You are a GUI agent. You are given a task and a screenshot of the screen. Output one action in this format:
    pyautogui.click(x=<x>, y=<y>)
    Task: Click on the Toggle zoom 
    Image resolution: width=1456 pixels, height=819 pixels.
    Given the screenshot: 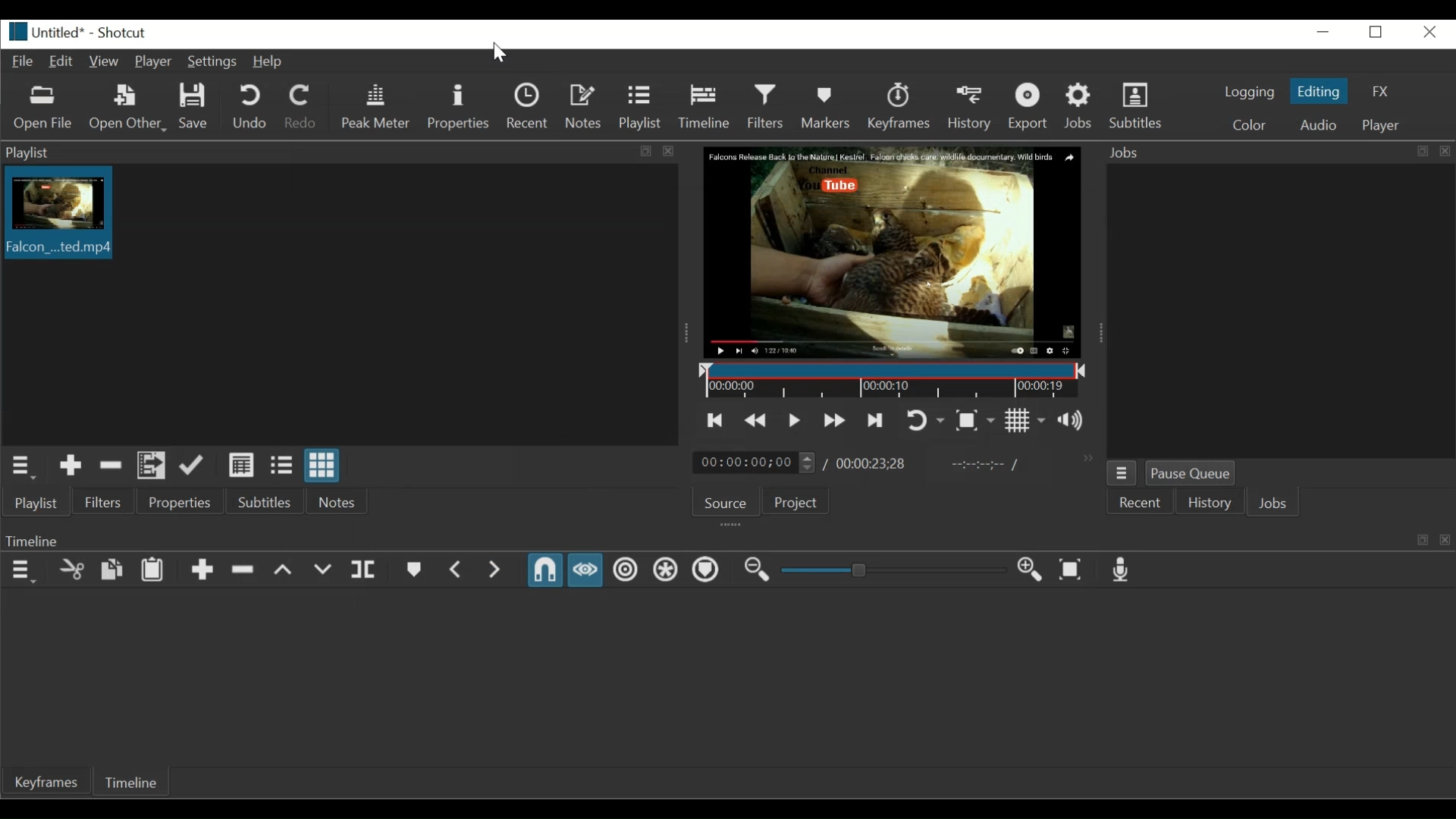 What is the action you would take?
    pyautogui.click(x=976, y=419)
    